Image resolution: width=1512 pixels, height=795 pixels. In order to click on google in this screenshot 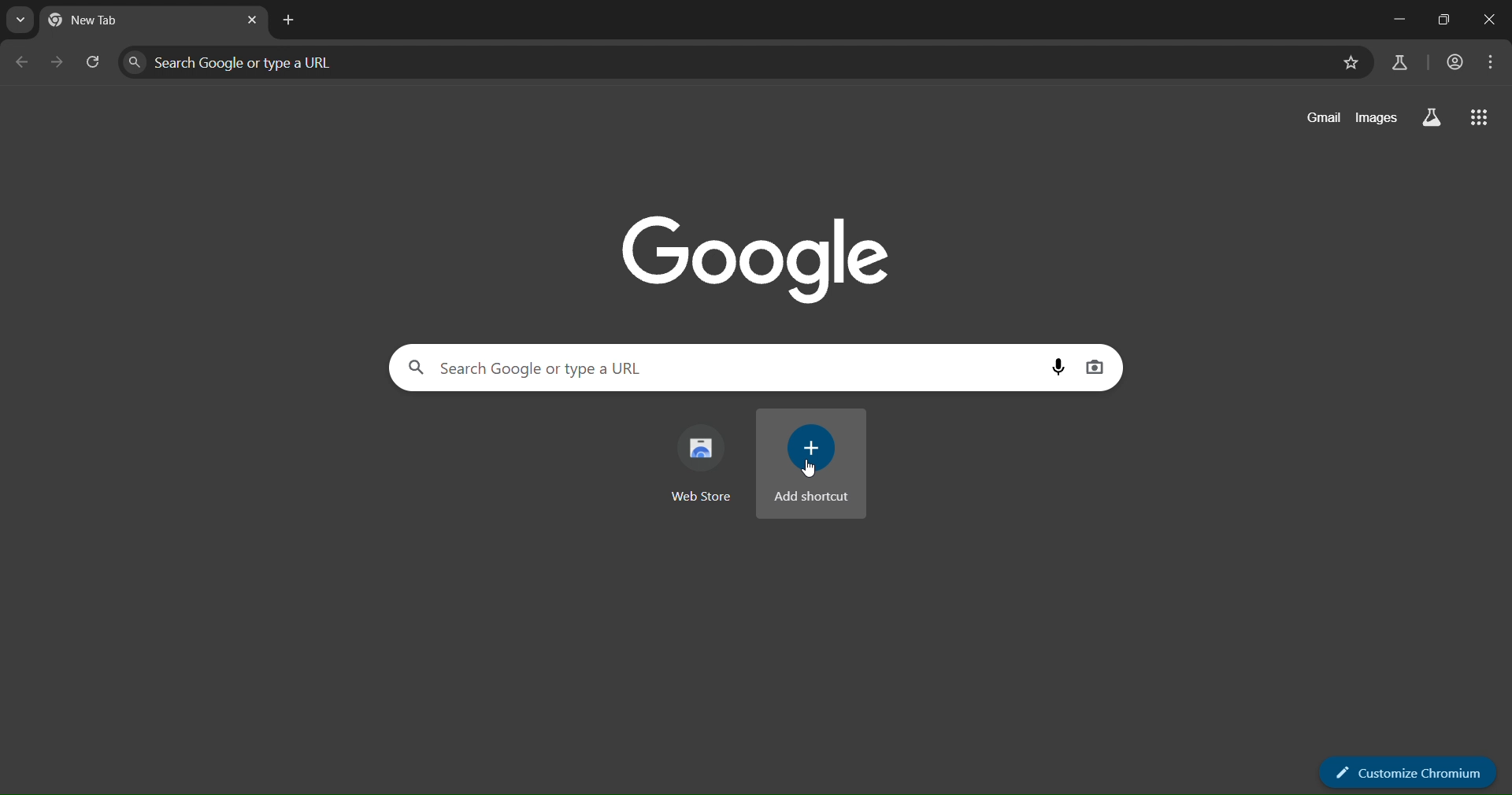, I will do `click(762, 256)`.